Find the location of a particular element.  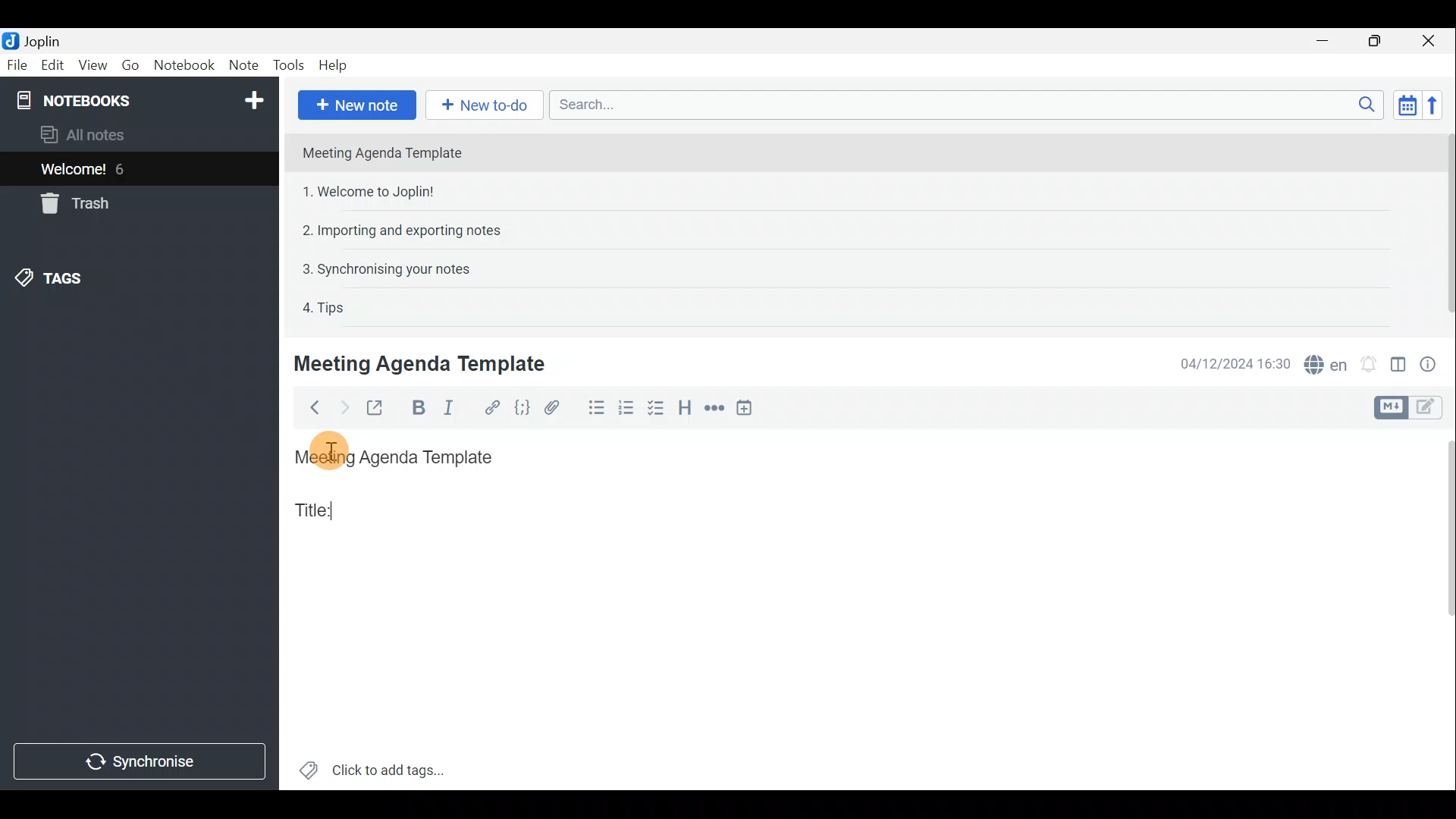

Synchronise is located at coordinates (138, 763).